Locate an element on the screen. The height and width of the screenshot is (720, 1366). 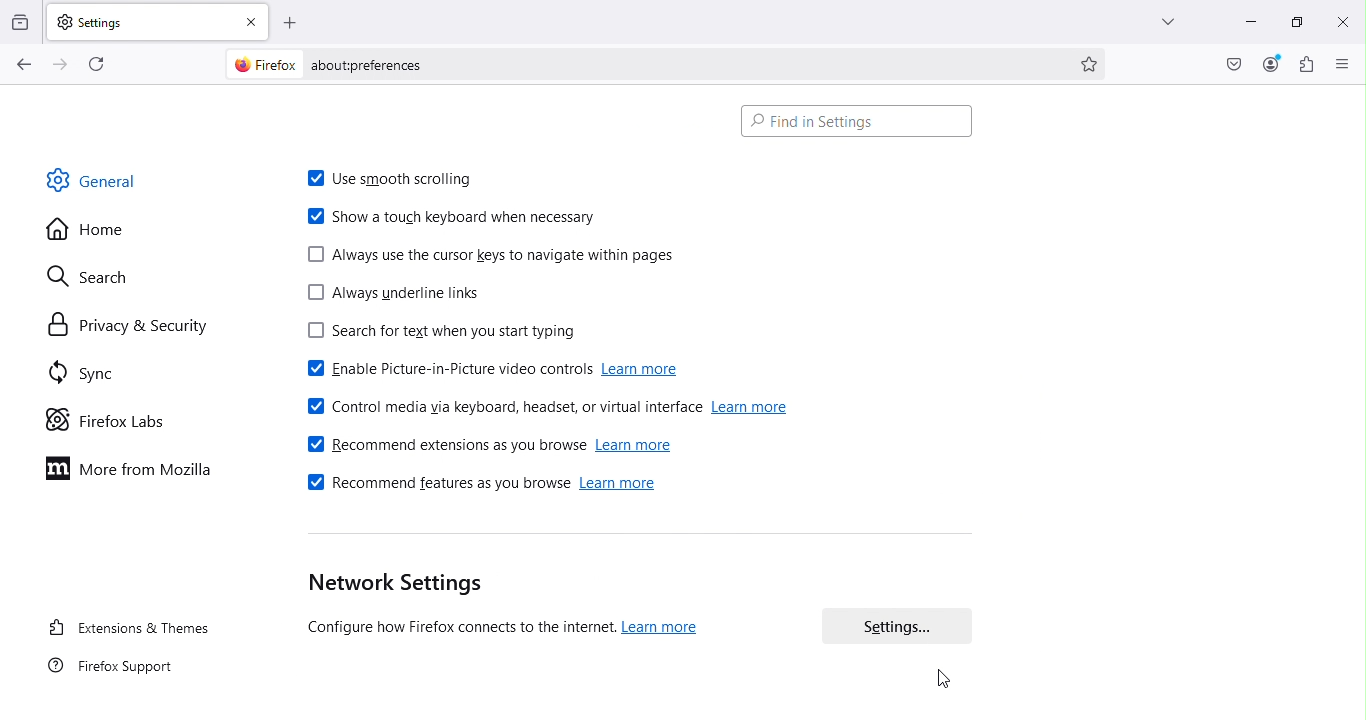
Always underline links is located at coordinates (403, 296).